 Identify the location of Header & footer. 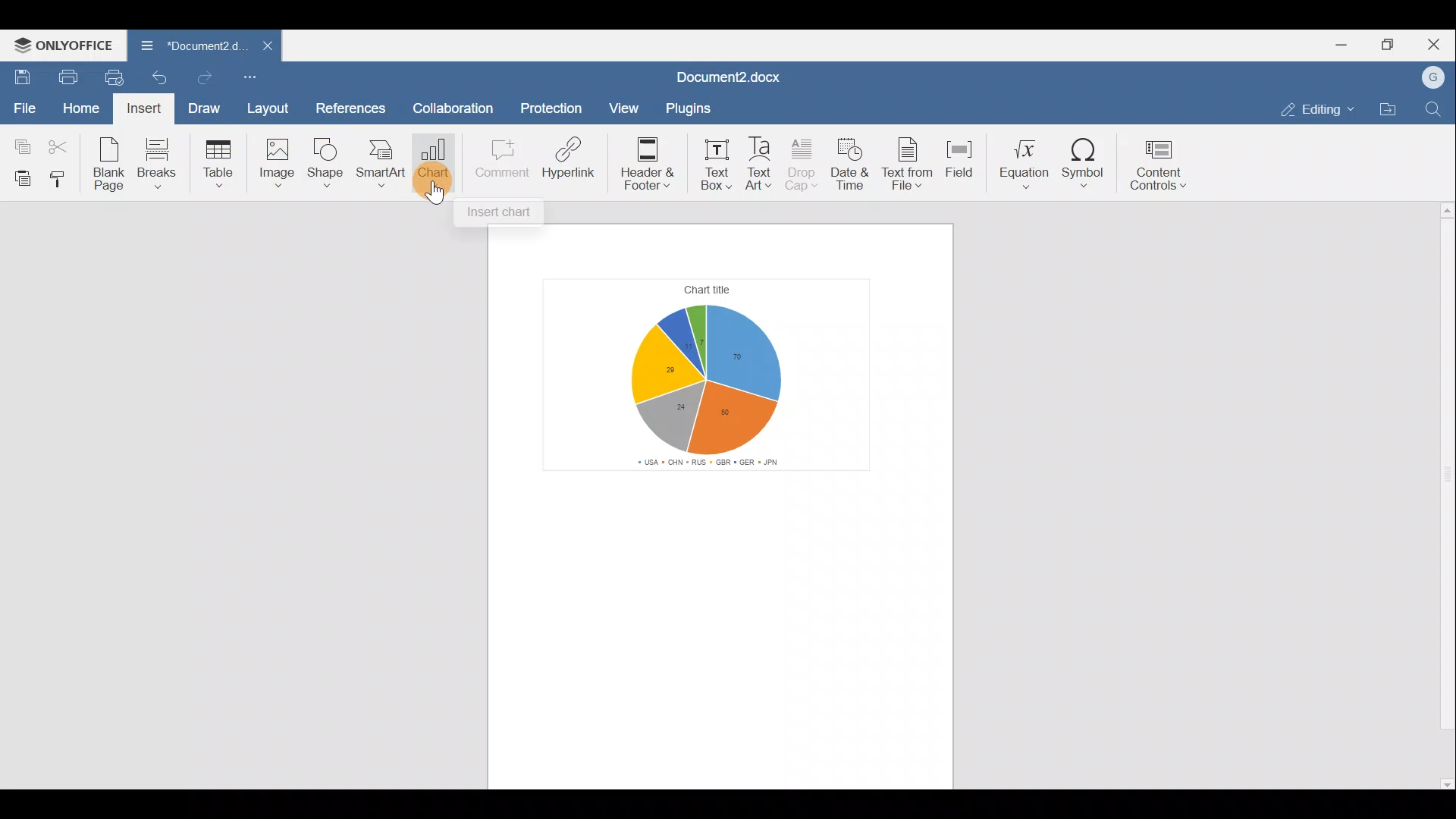
(645, 160).